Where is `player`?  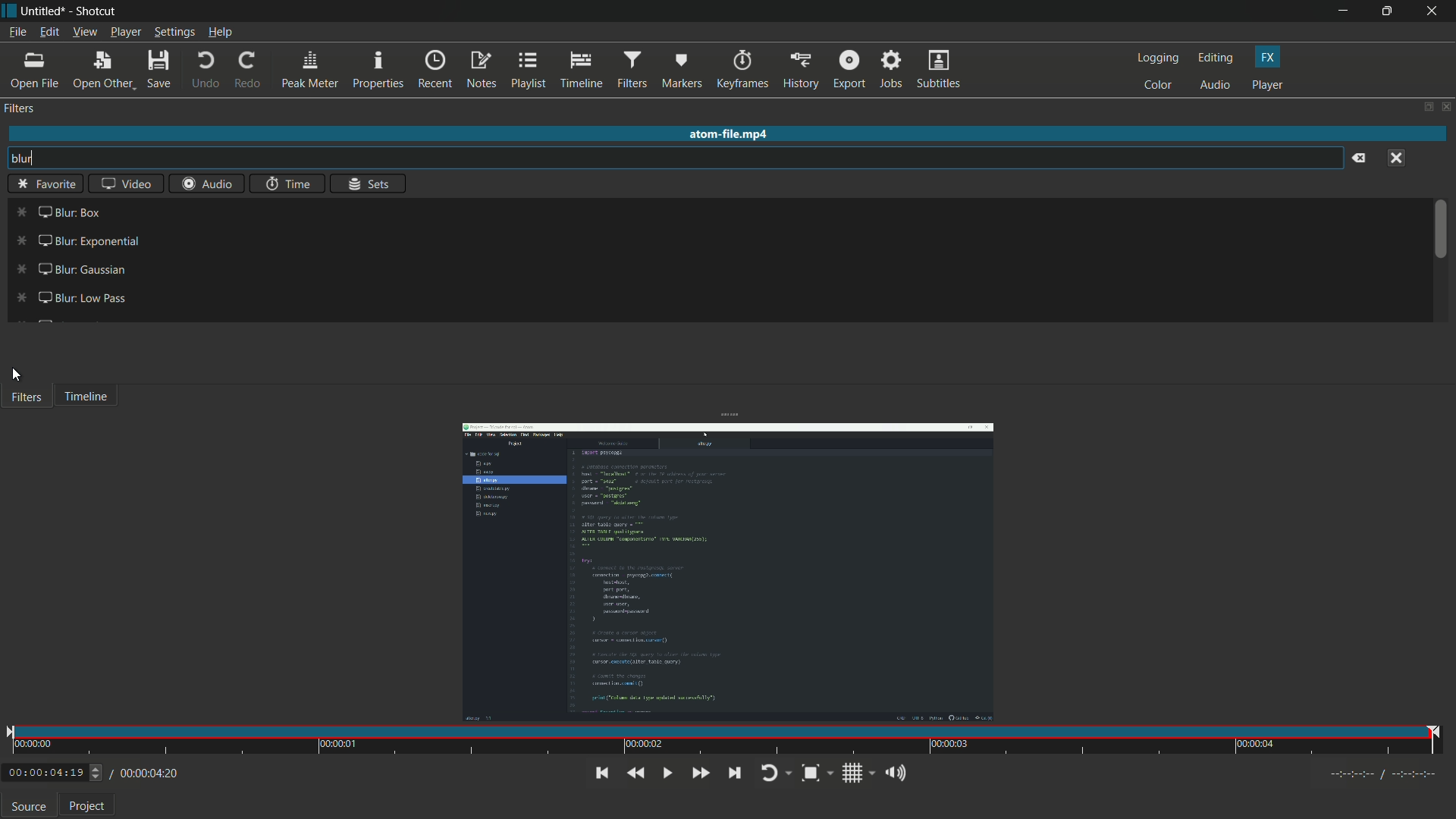 player is located at coordinates (1268, 84).